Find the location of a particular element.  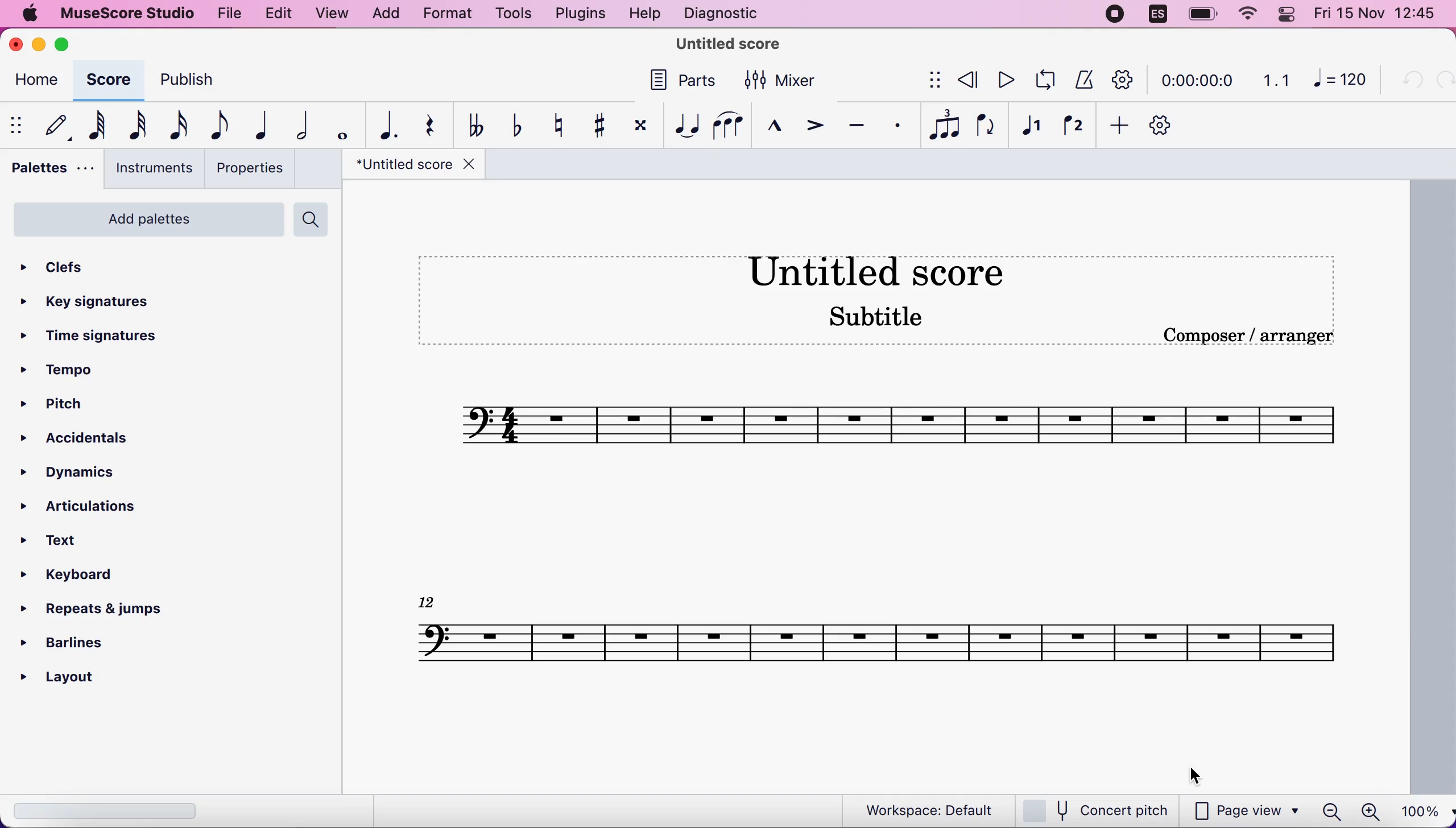

playback loop is located at coordinates (1049, 78).